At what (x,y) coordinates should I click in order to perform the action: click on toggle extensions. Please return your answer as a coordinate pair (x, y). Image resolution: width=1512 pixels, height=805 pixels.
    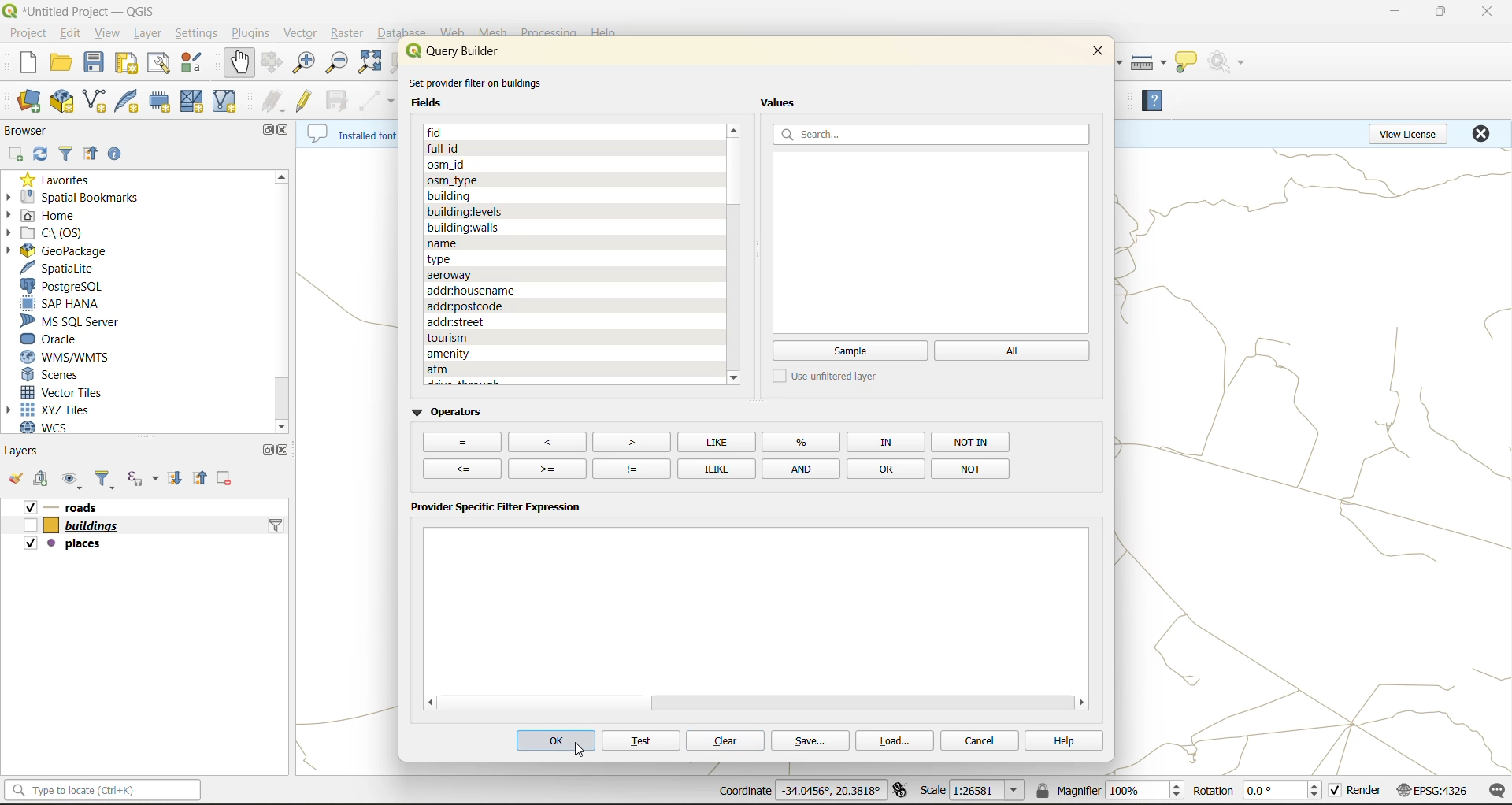
    Looking at the image, I should click on (898, 791).